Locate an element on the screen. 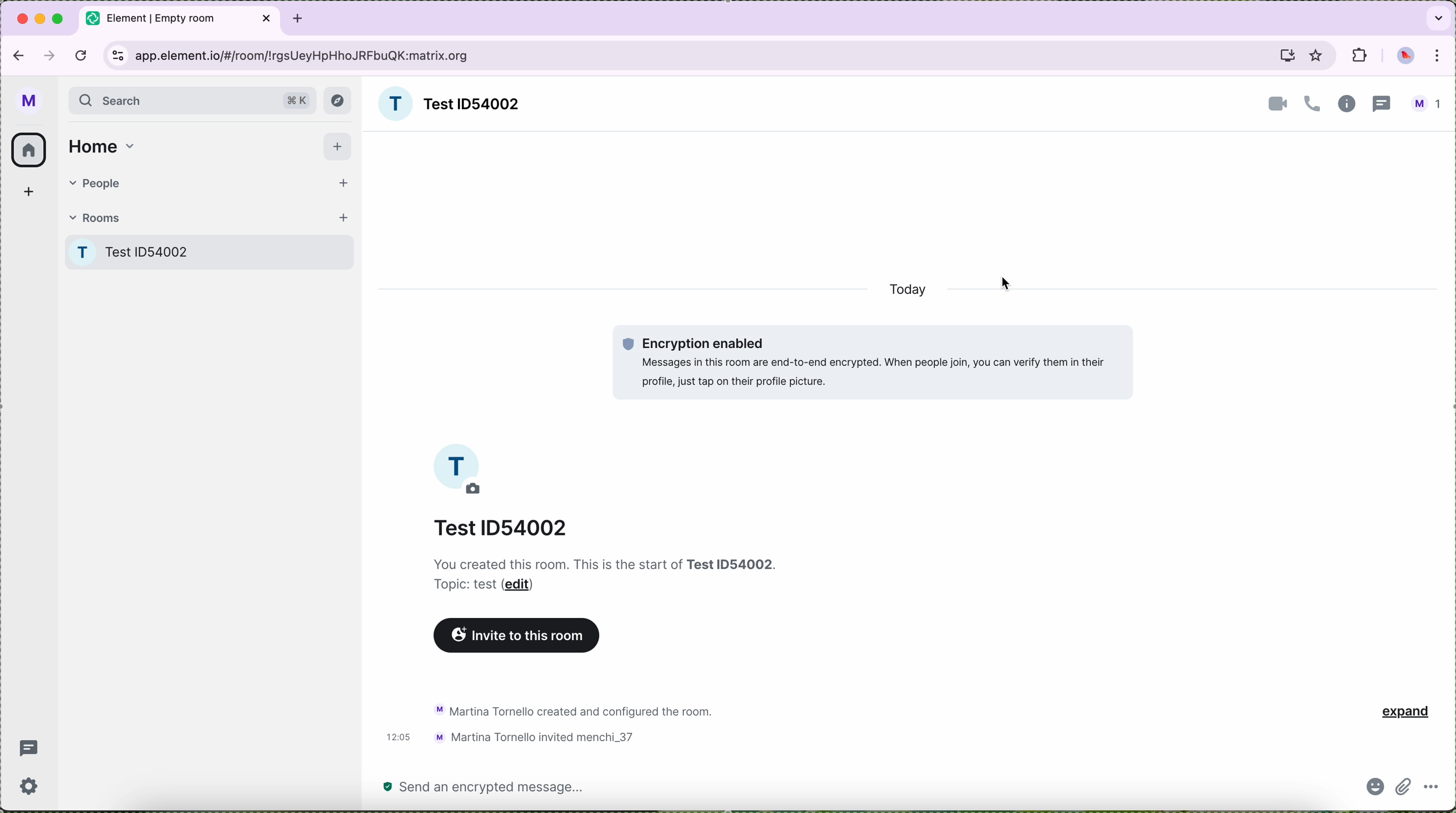 This screenshot has height=813, width=1456. add is located at coordinates (28, 193).